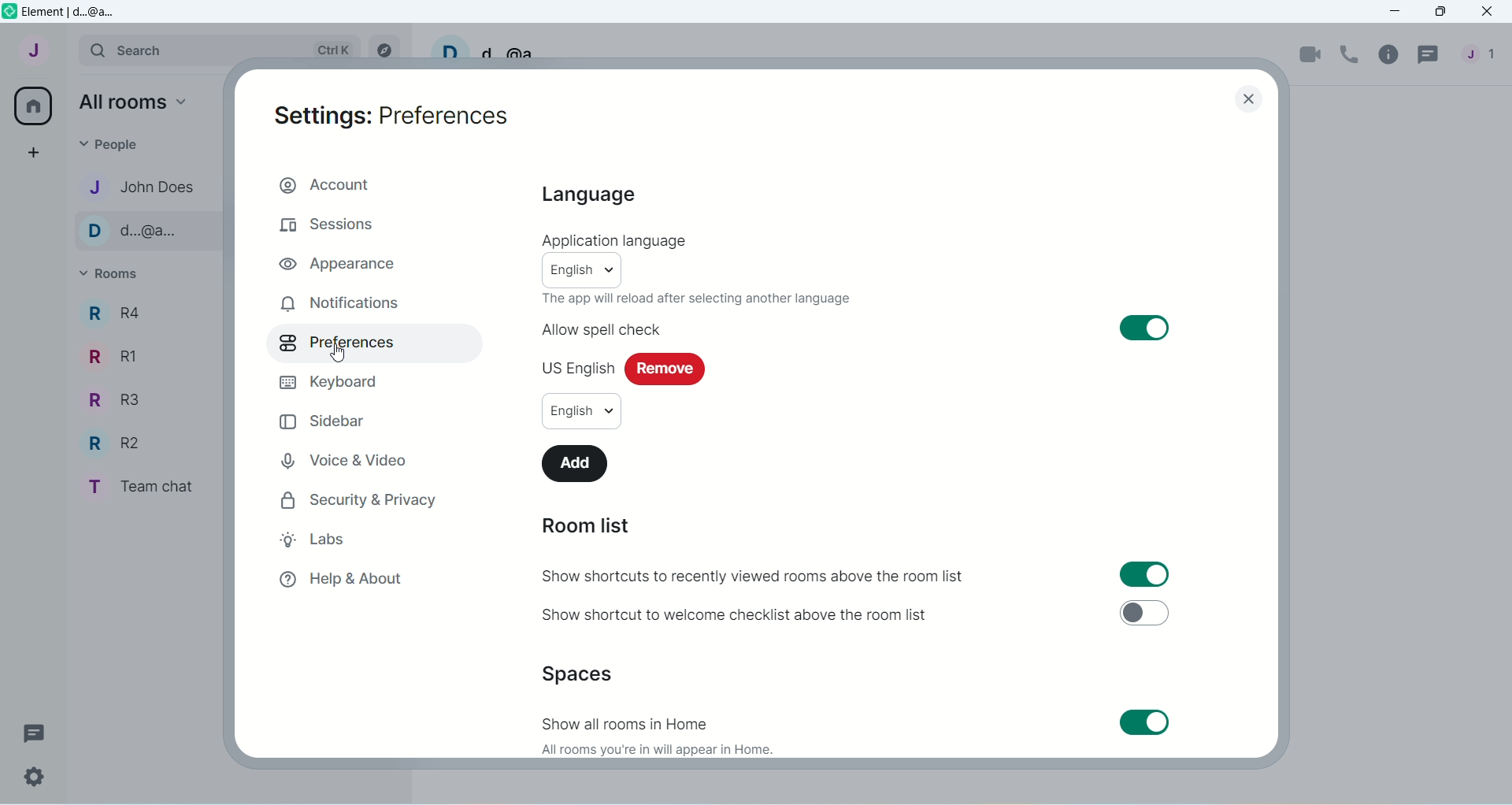 This screenshot has height=805, width=1512. What do you see at coordinates (358, 499) in the screenshot?
I see `Security and Privacy` at bounding box center [358, 499].